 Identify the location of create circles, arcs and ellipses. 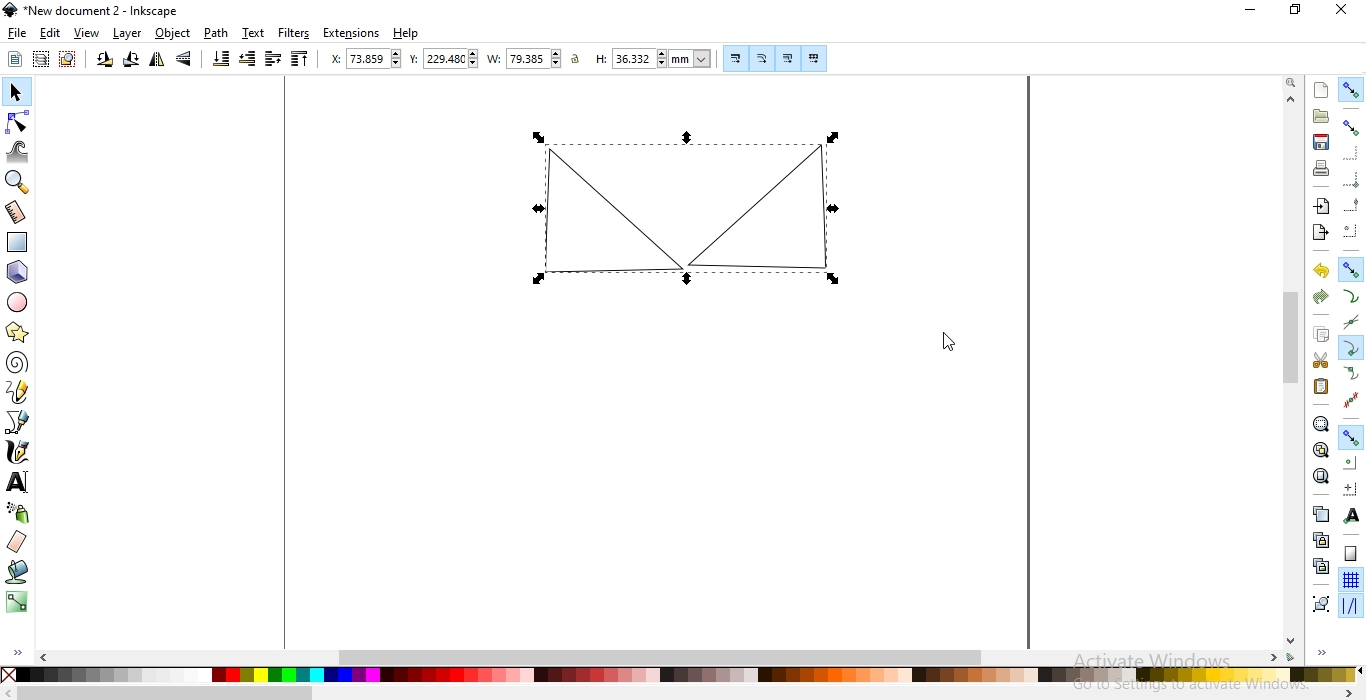
(19, 304).